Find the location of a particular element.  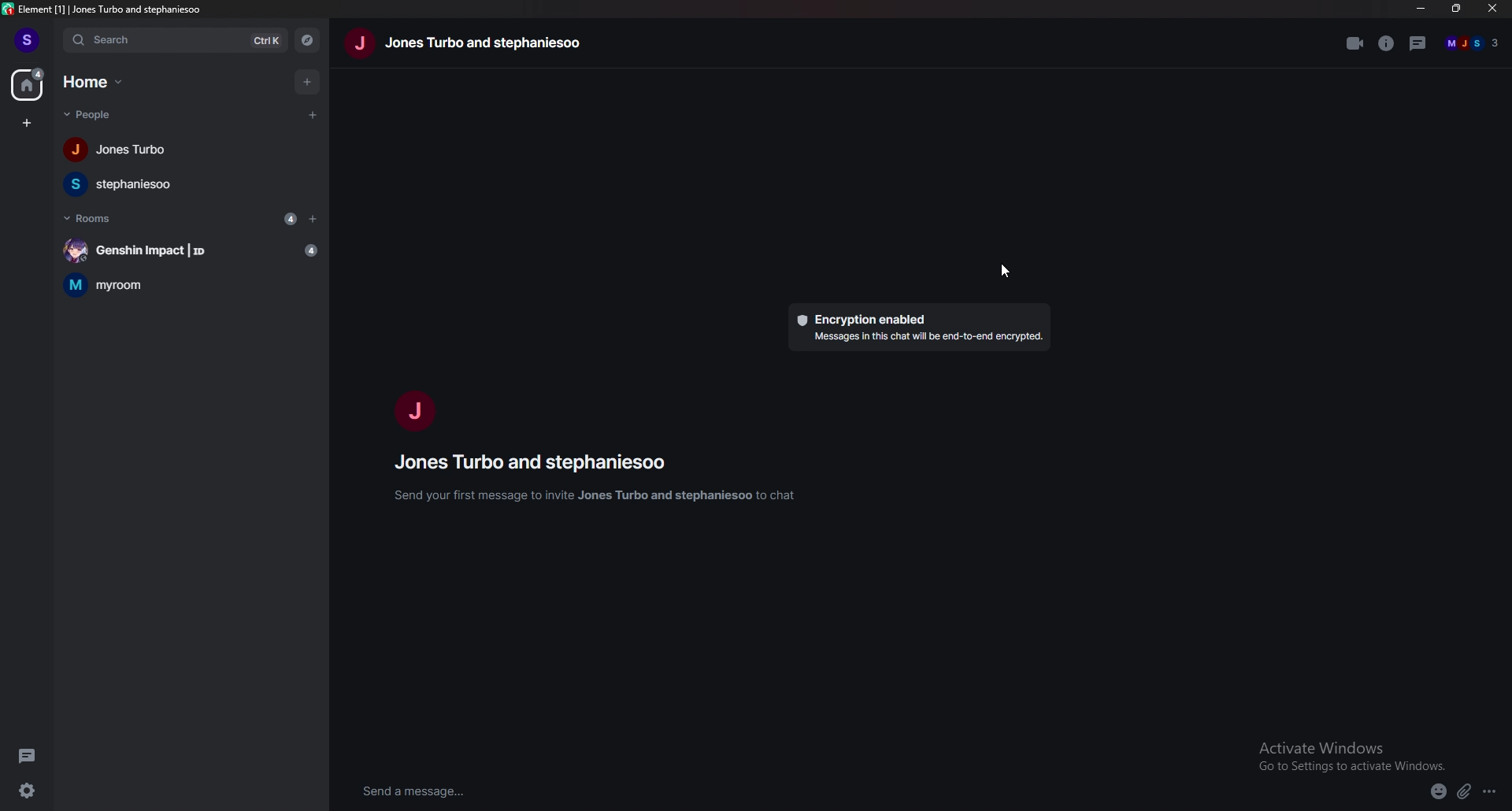

j is located at coordinates (359, 43).